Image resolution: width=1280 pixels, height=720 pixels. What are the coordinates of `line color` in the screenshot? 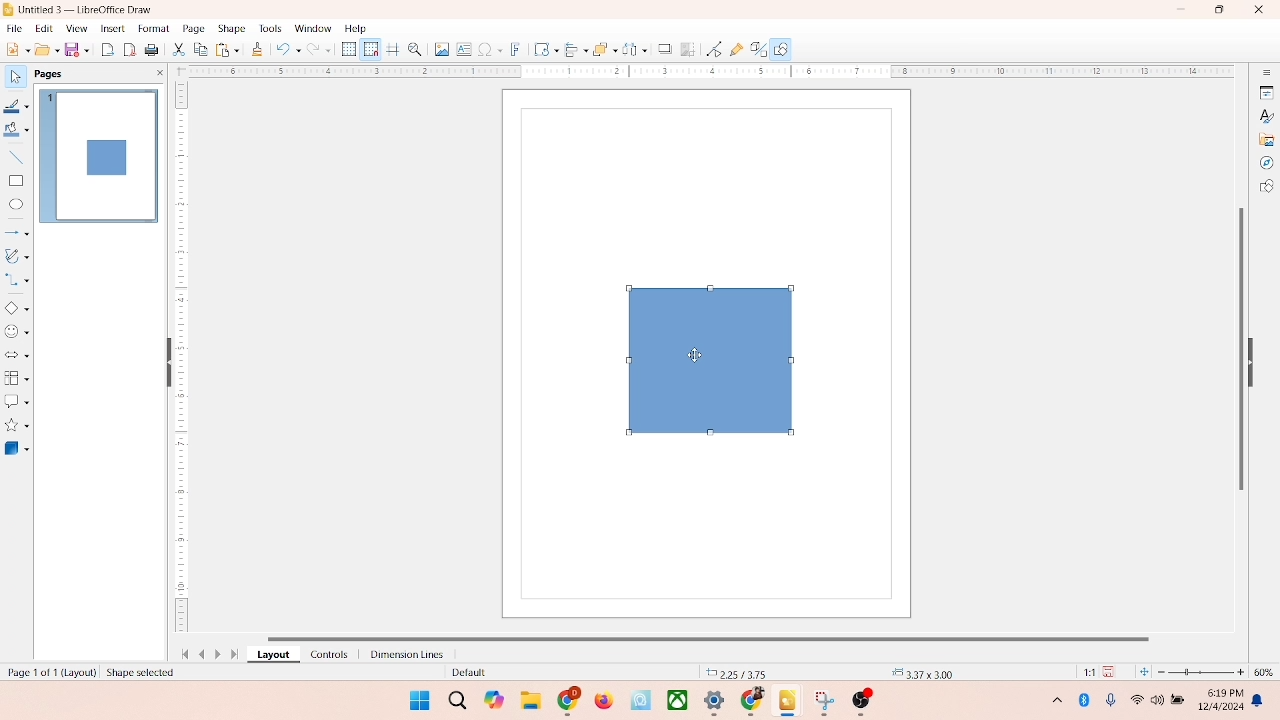 It's located at (17, 106).